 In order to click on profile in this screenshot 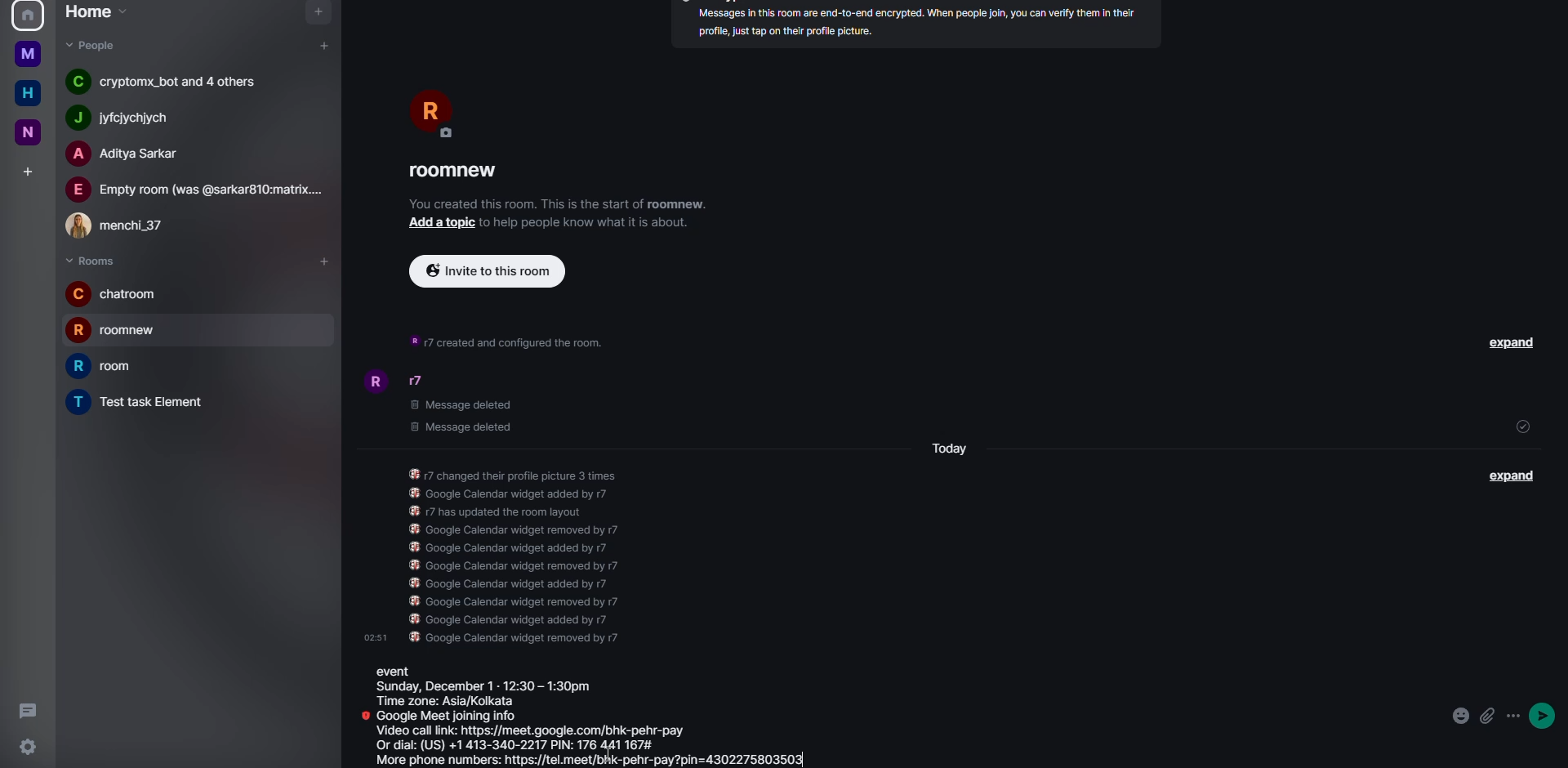, I will do `click(429, 118)`.